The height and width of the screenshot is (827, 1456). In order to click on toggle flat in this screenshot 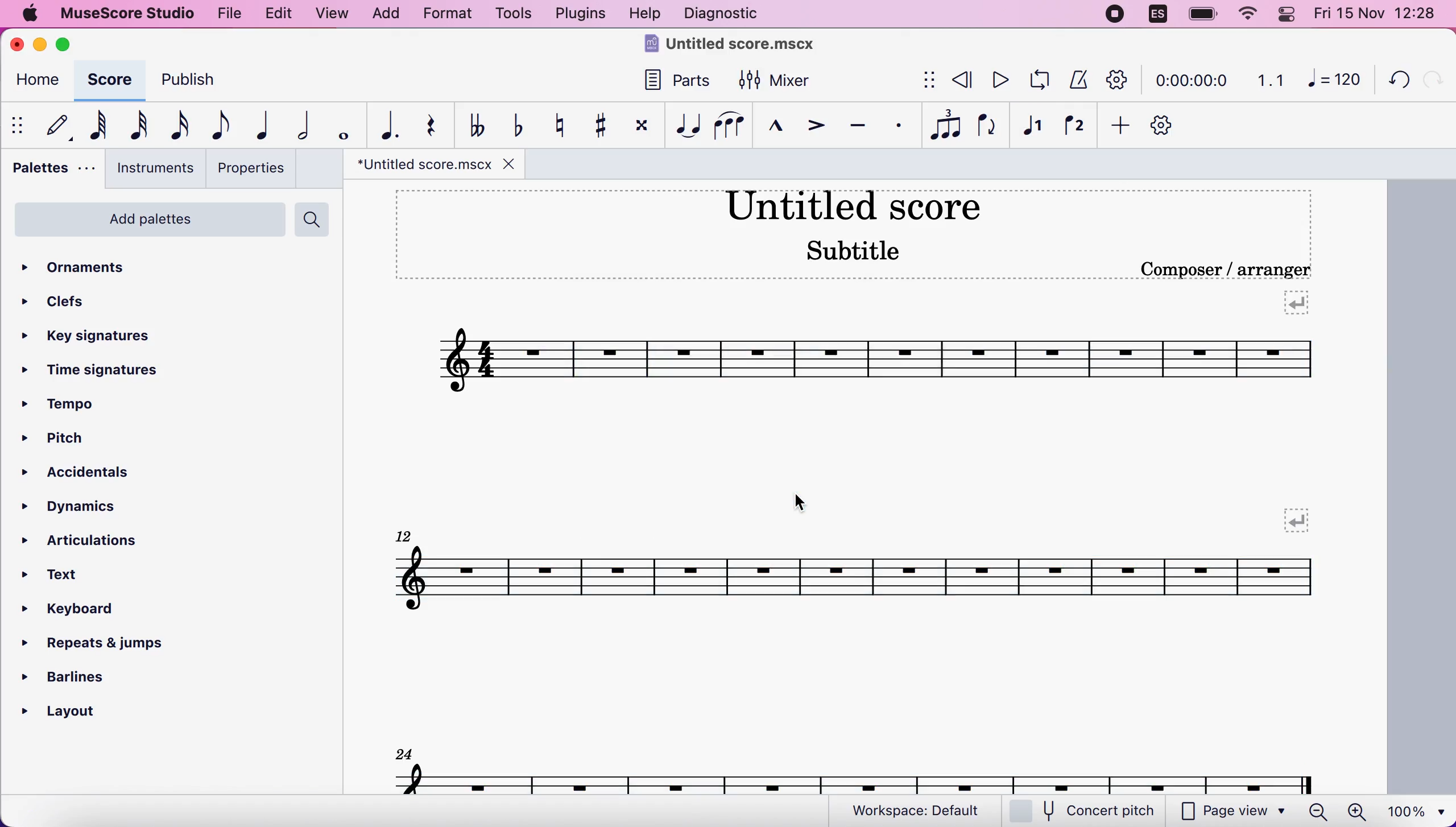, I will do `click(515, 125)`.